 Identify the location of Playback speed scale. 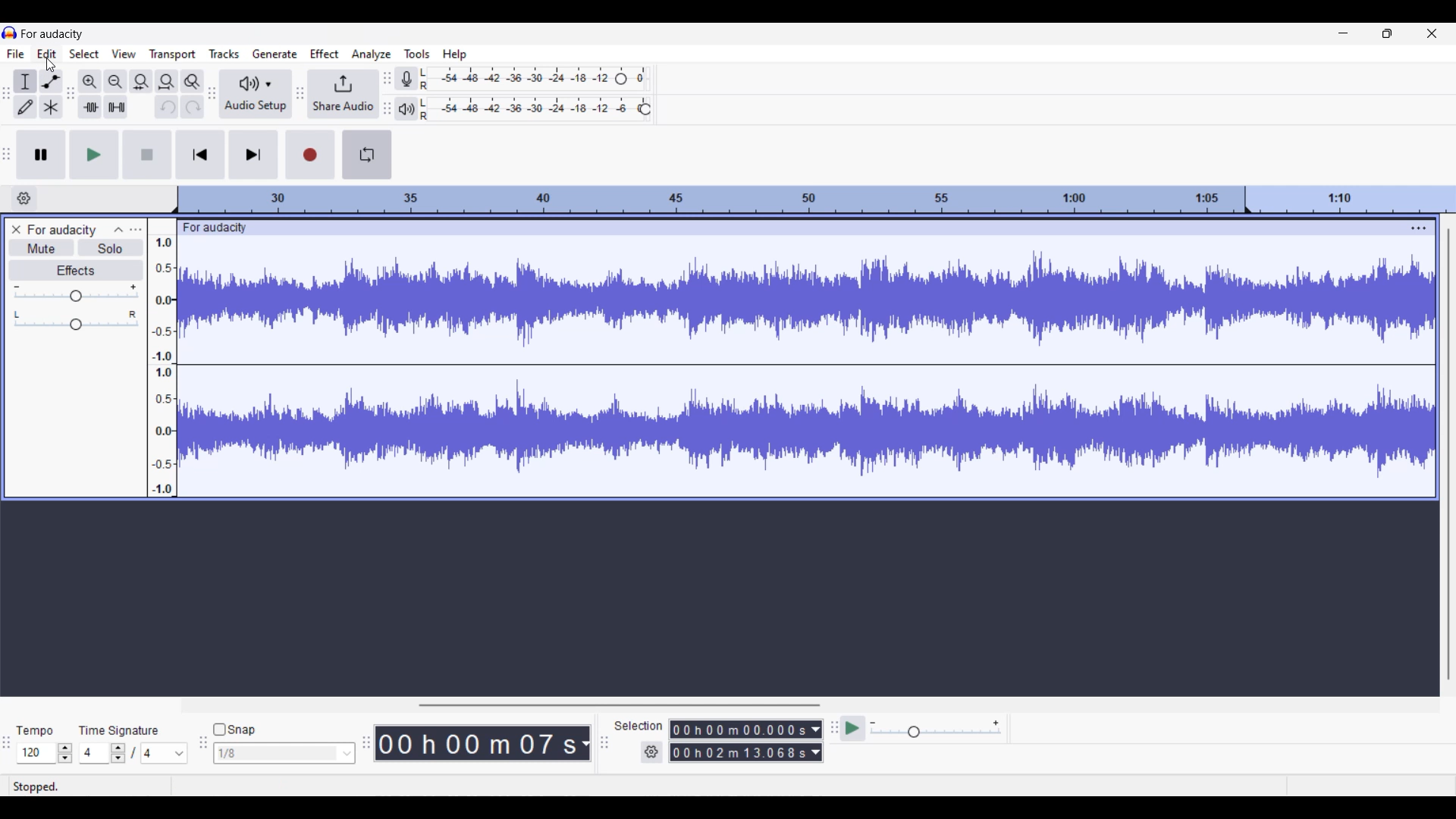
(936, 728).